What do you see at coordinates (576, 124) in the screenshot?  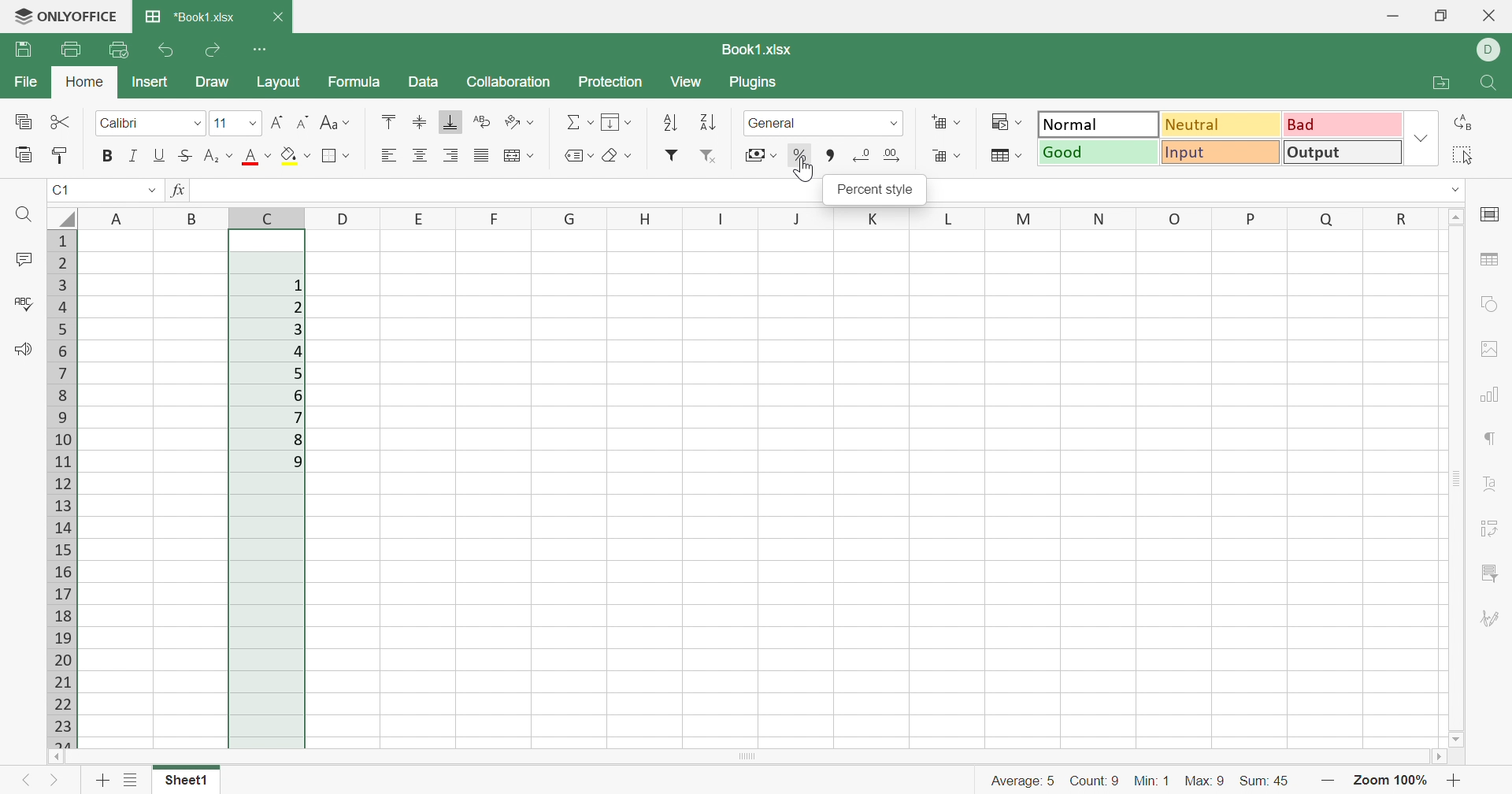 I see `Summation` at bounding box center [576, 124].